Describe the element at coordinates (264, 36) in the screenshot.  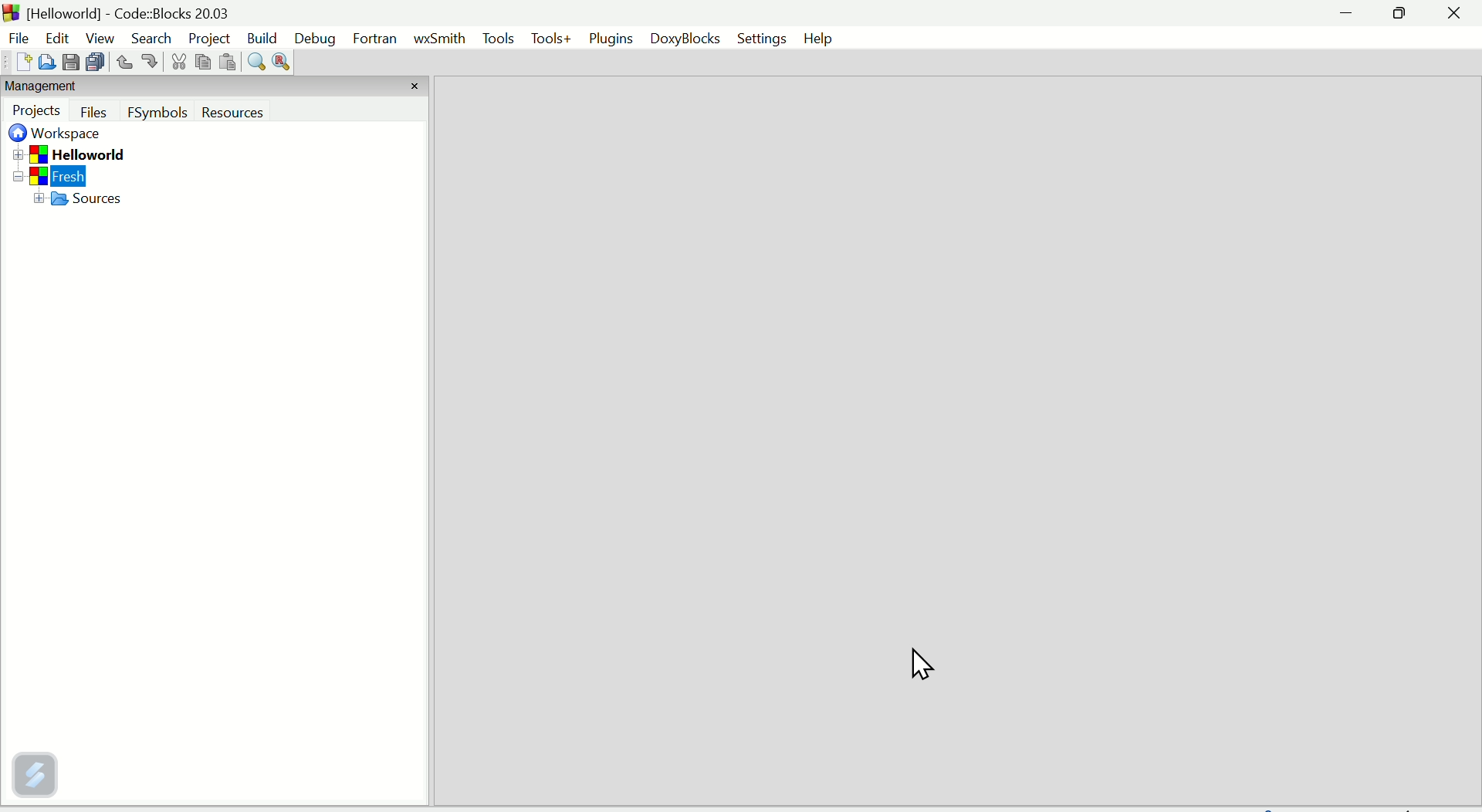
I see `Build` at that location.